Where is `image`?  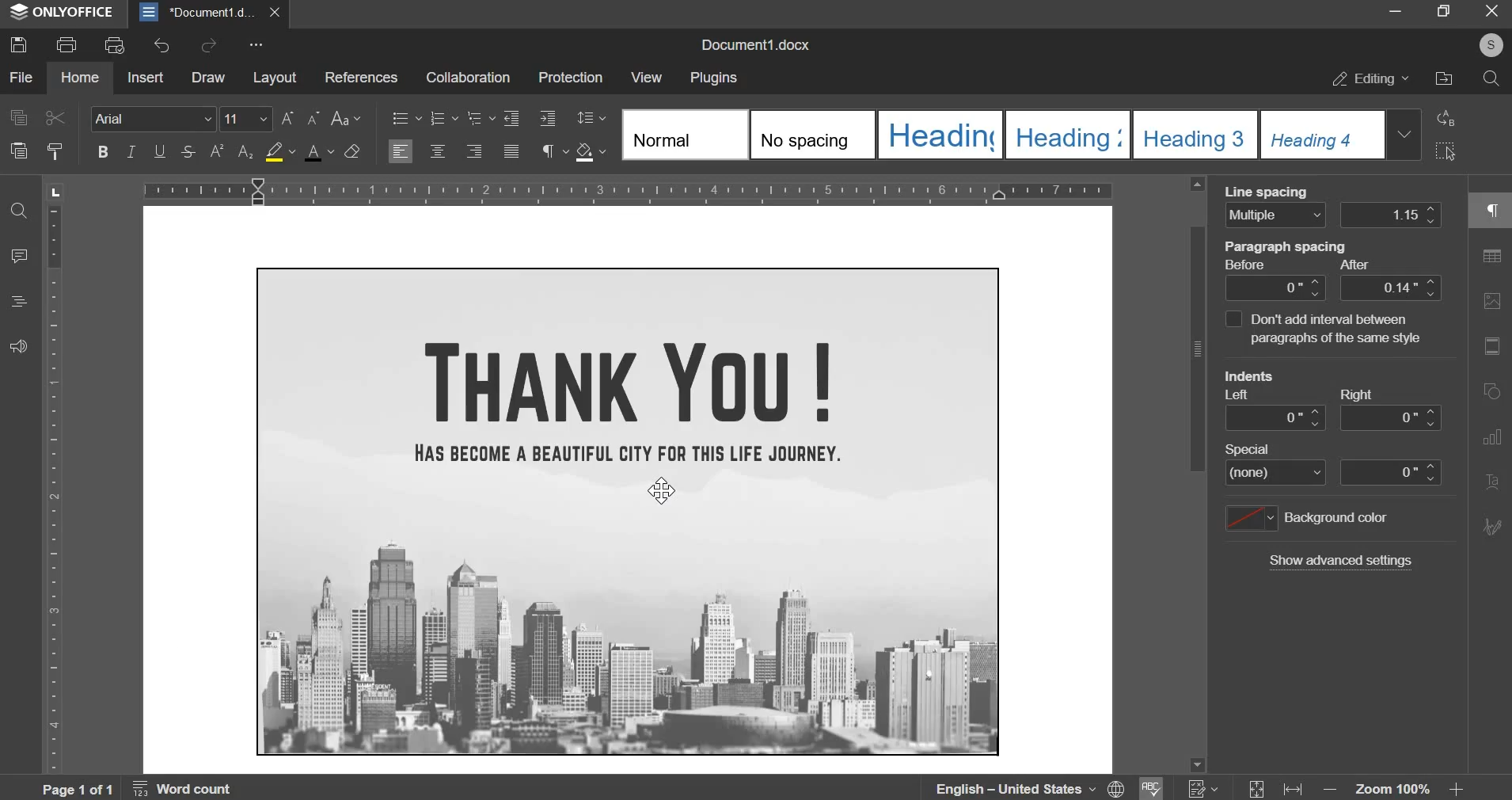 image is located at coordinates (629, 511).